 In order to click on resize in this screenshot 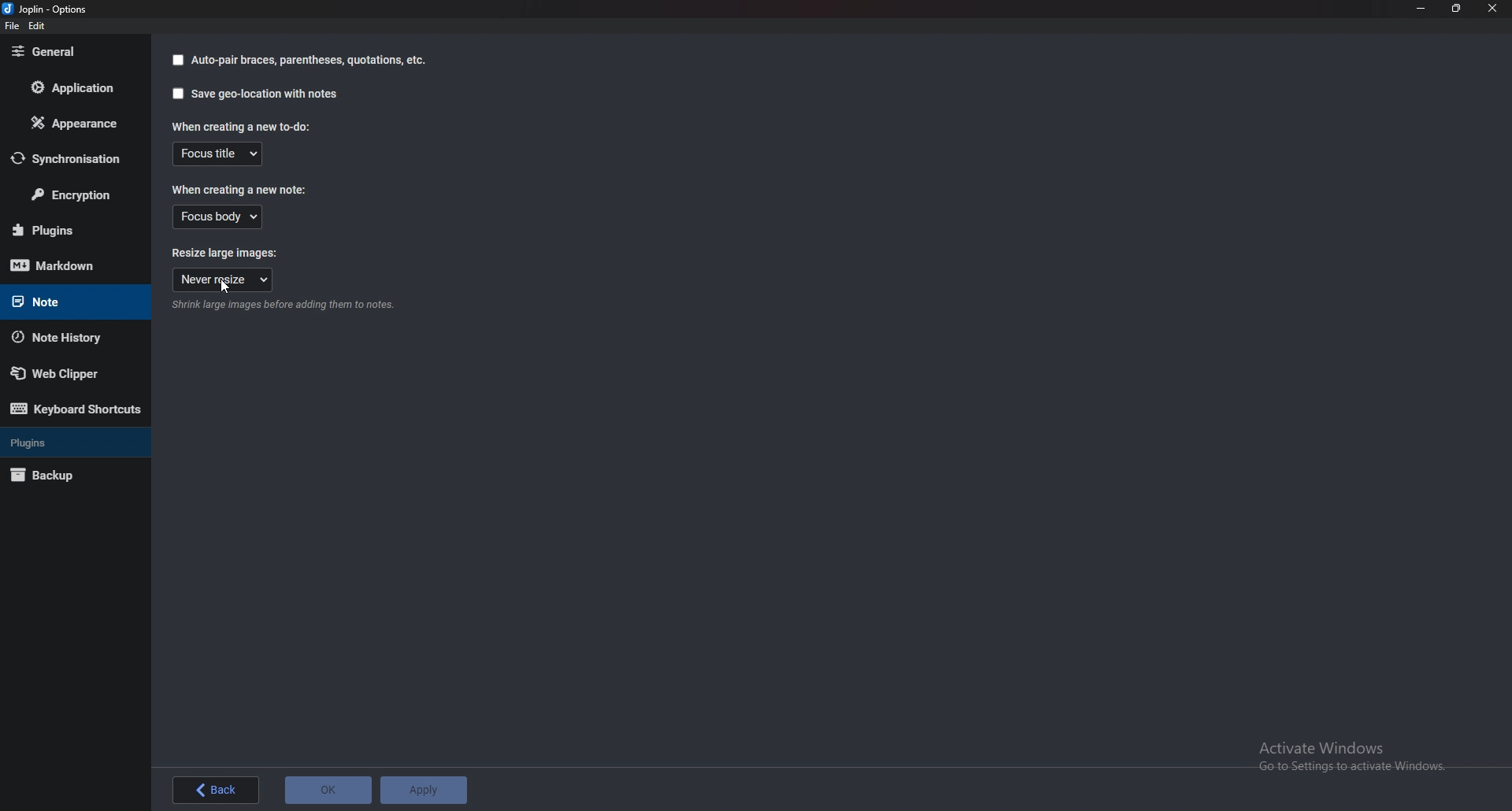, I will do `click(1457, 8)`.